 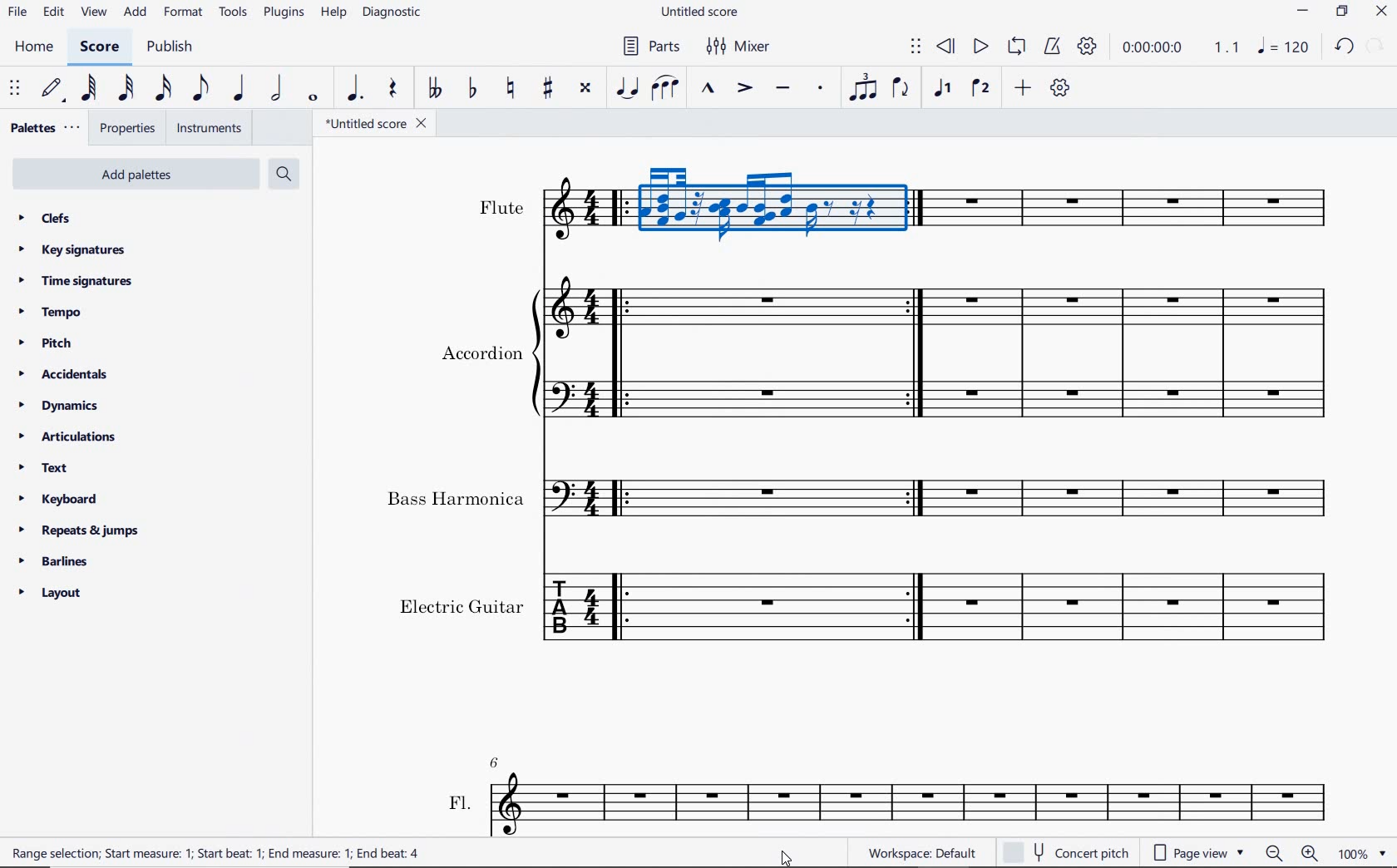 What do you see at coordinates (183, 13) in the screenshot?
I see `format` at bounding box center [183, 13].